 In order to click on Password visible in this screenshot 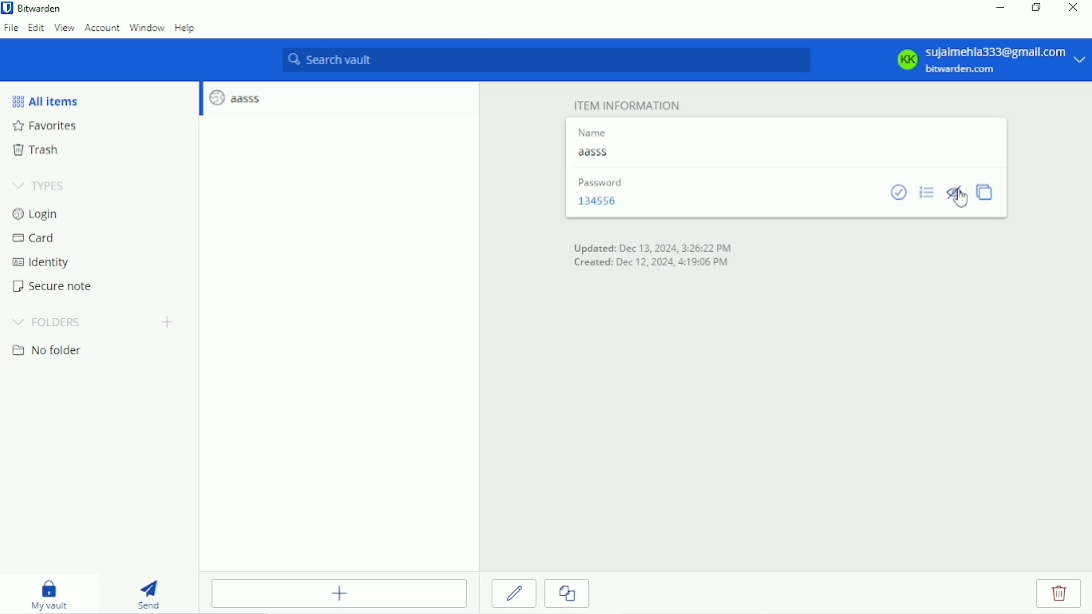, I will do `click(601, 200)`.